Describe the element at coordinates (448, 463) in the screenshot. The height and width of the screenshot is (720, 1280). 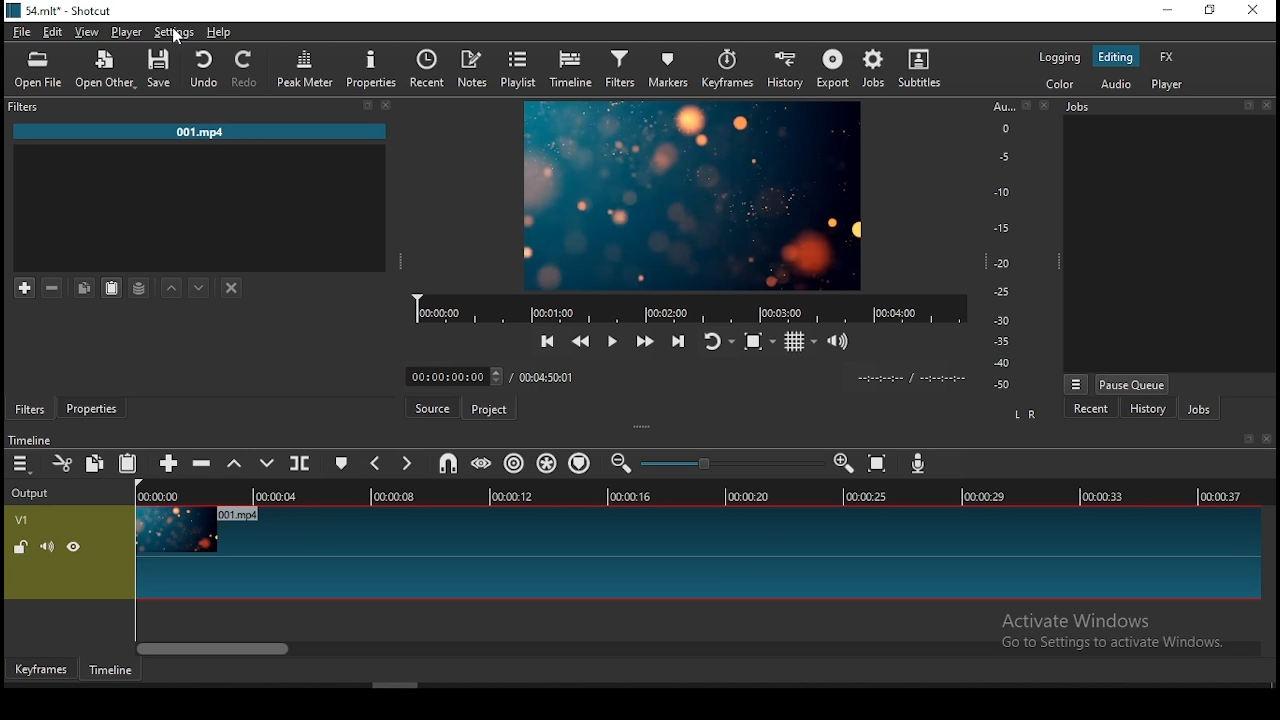
I see `snap` at that location.